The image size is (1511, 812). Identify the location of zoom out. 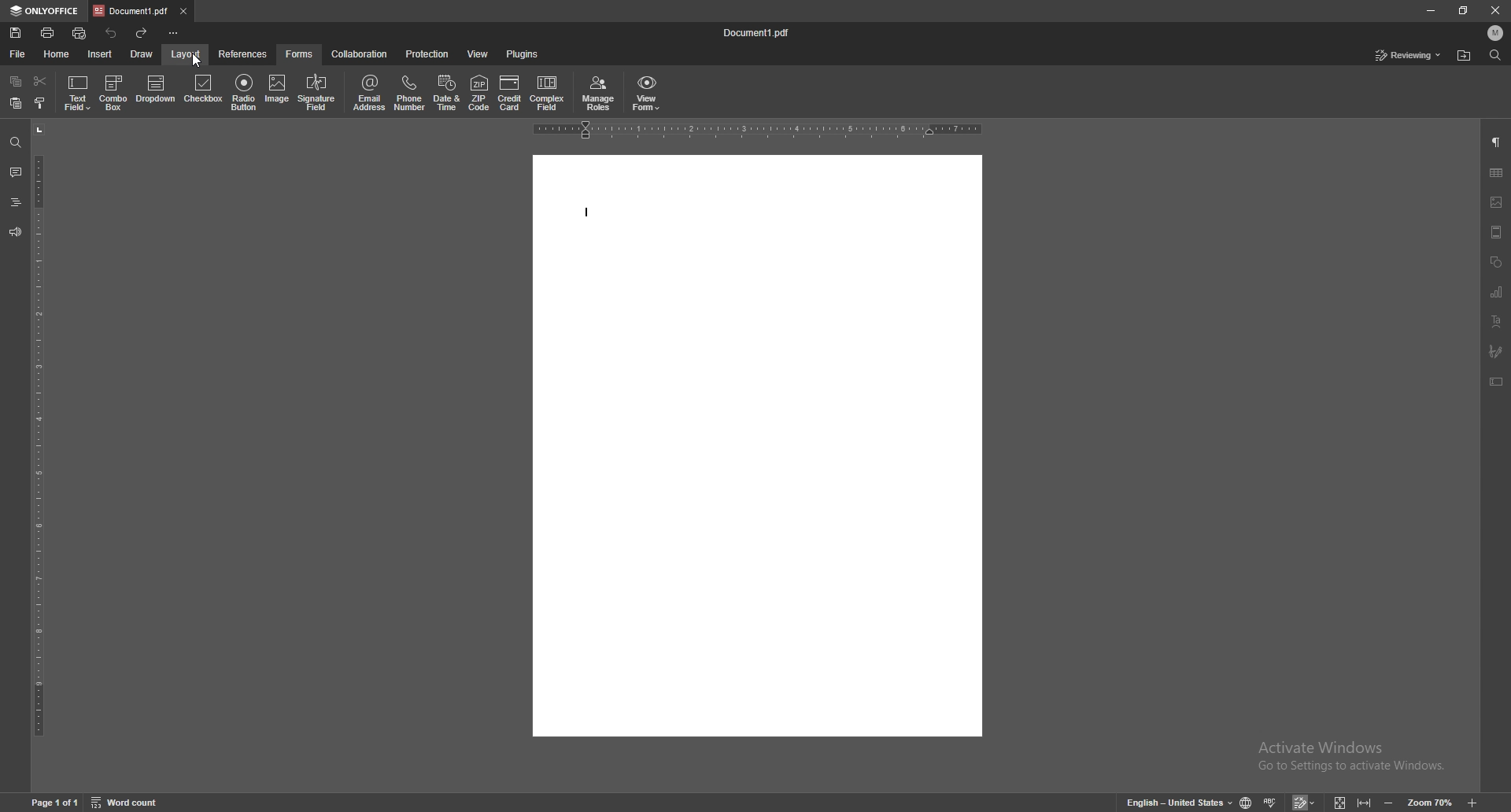
(1388, 803).